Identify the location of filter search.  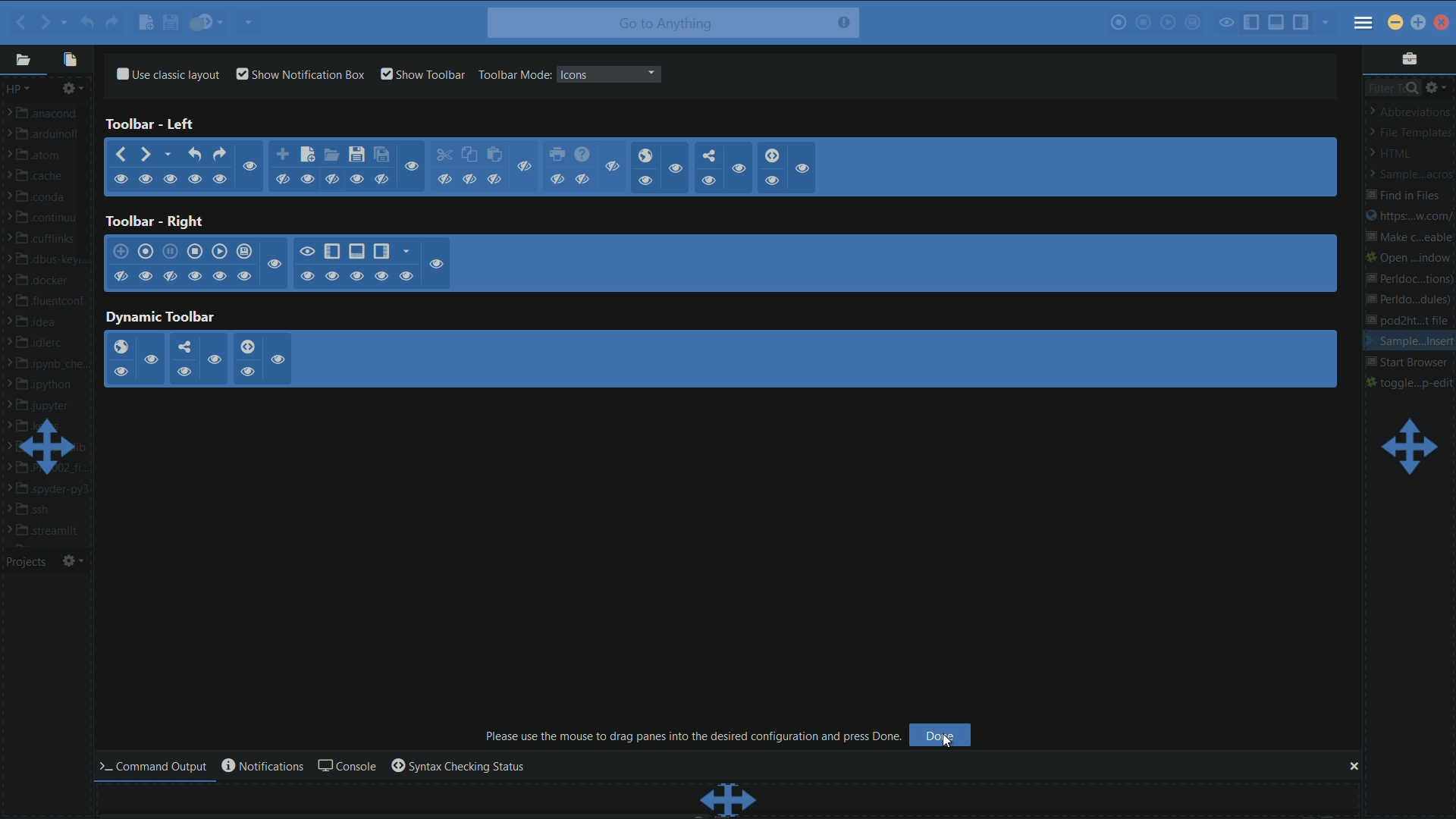
(1392, 86).